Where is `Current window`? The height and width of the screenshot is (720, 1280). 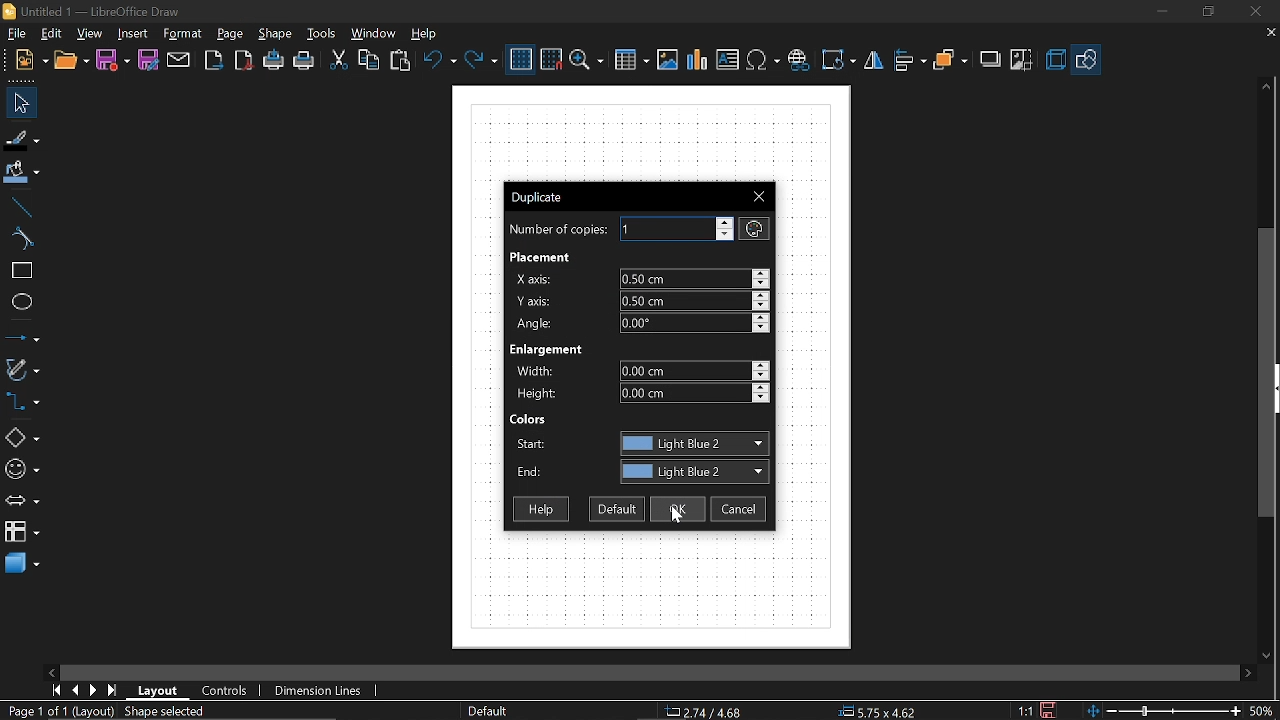
Current window is located at coordinates (92, 10).